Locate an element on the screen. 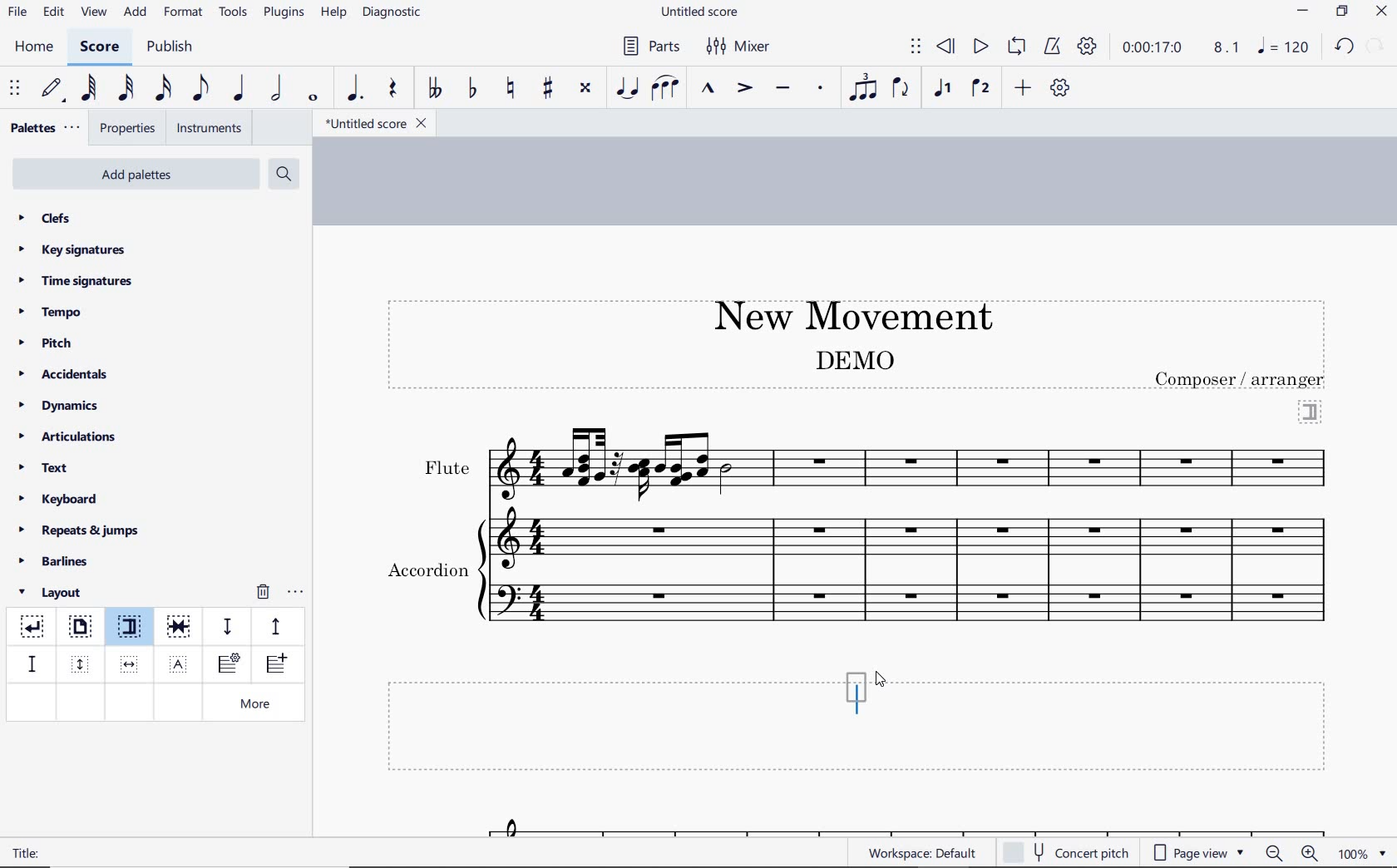  tempo is located at coordinates (55, 311).